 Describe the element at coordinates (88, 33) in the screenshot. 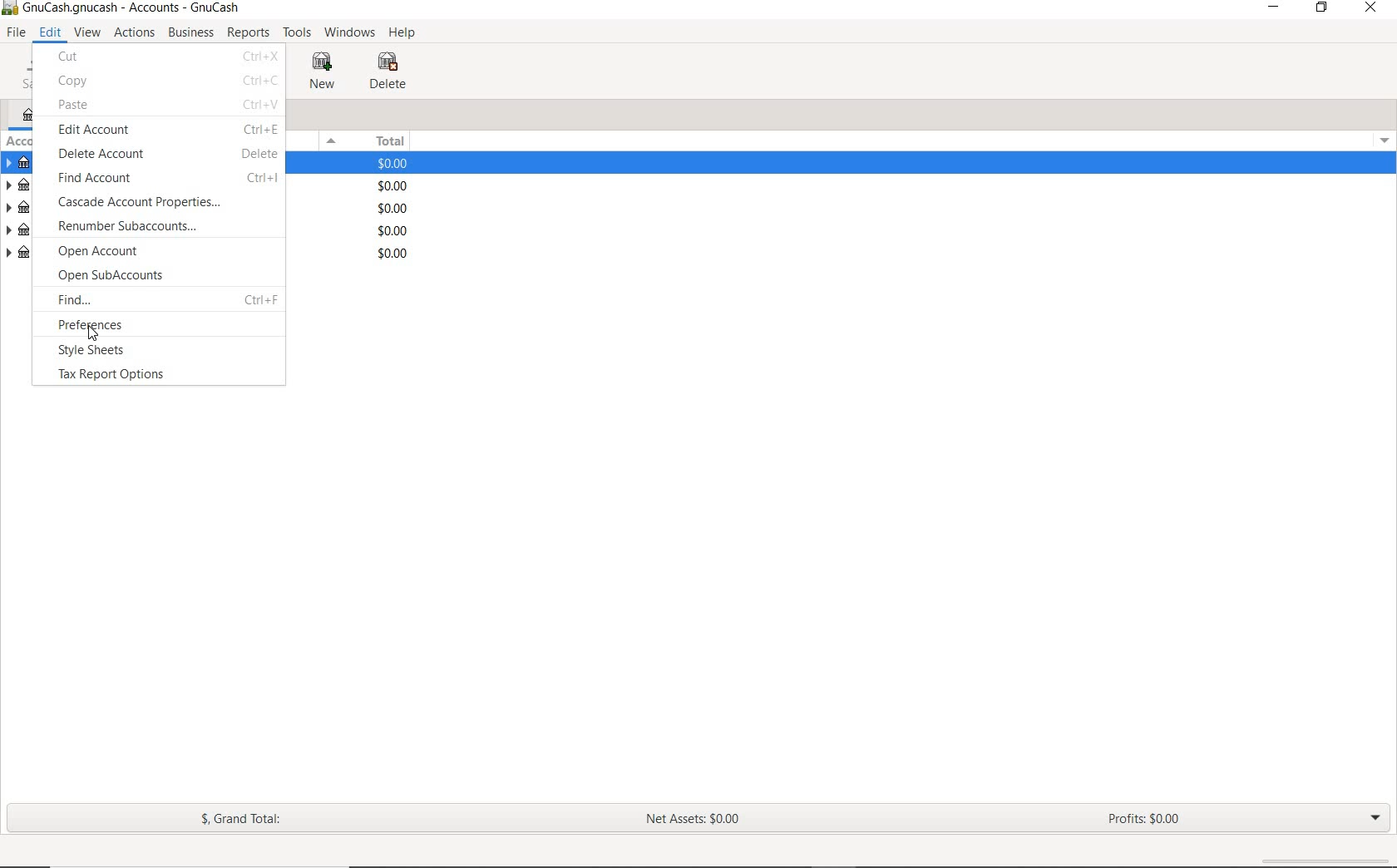

I see `VIEW` at that location.